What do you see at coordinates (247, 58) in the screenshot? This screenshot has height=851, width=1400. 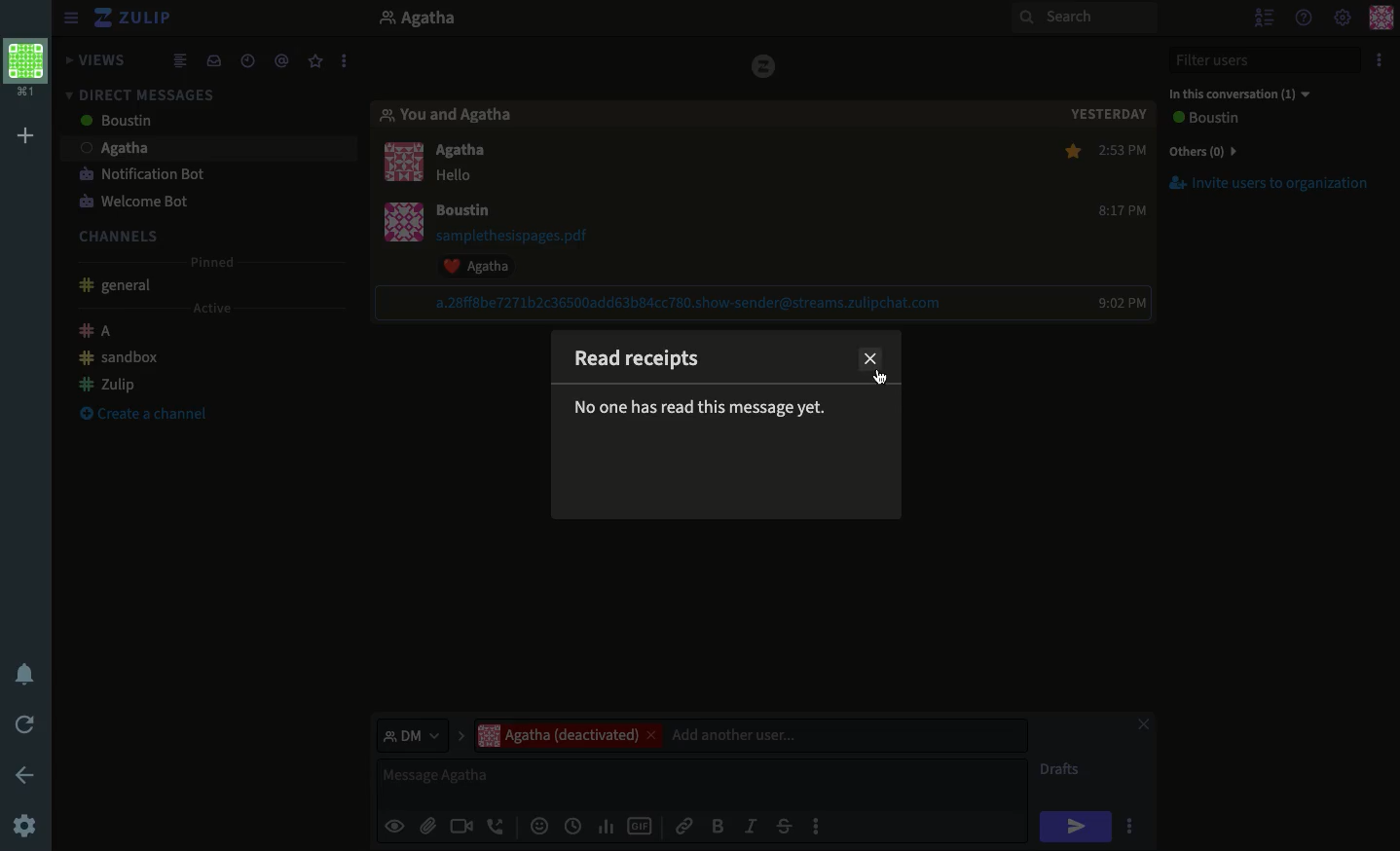 I see `Time` at bounding box center [247, 58].